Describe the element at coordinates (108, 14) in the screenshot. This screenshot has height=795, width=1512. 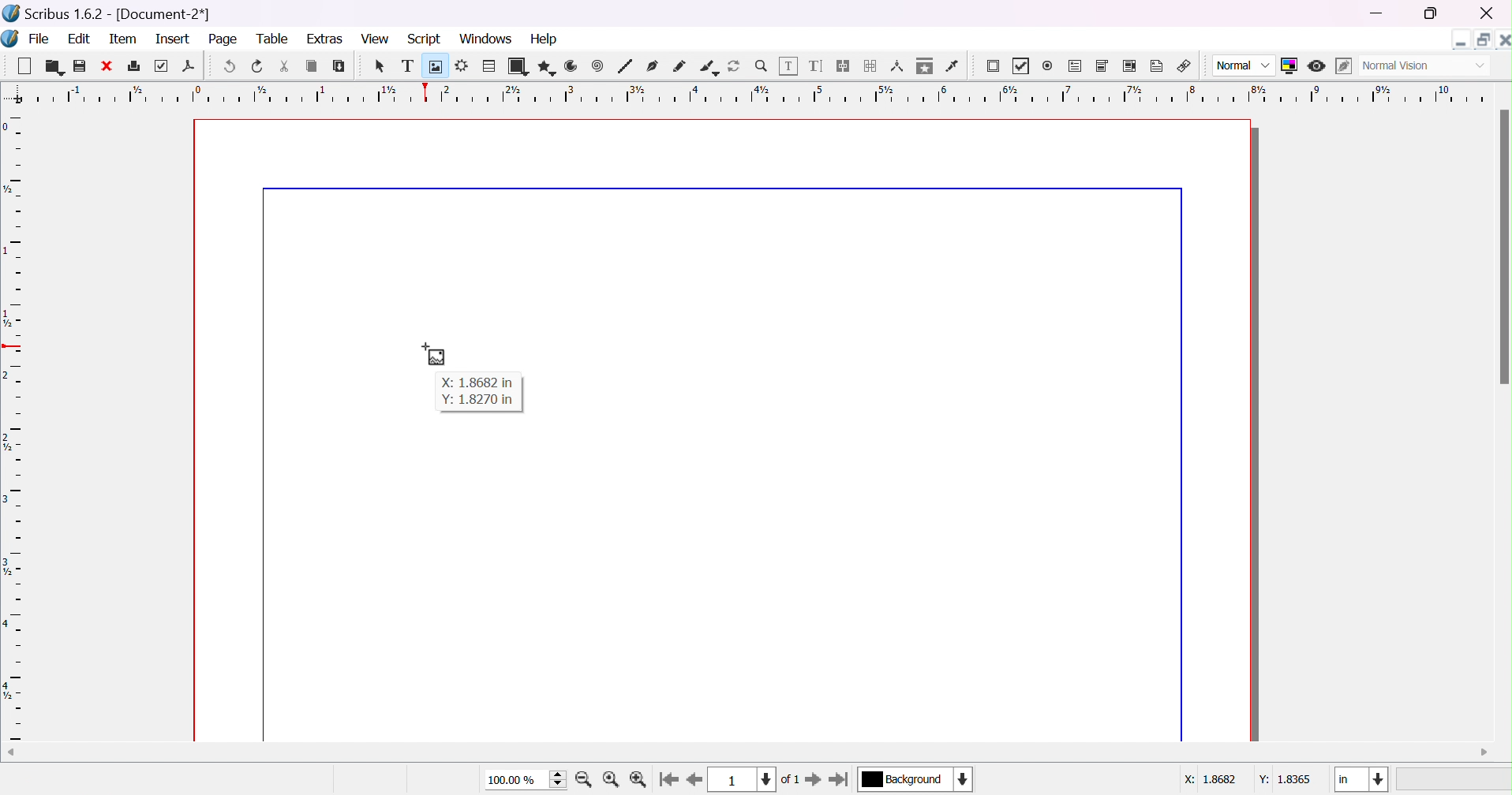
I see `scribus 1.6.2 - [Document-2*]` at that location.